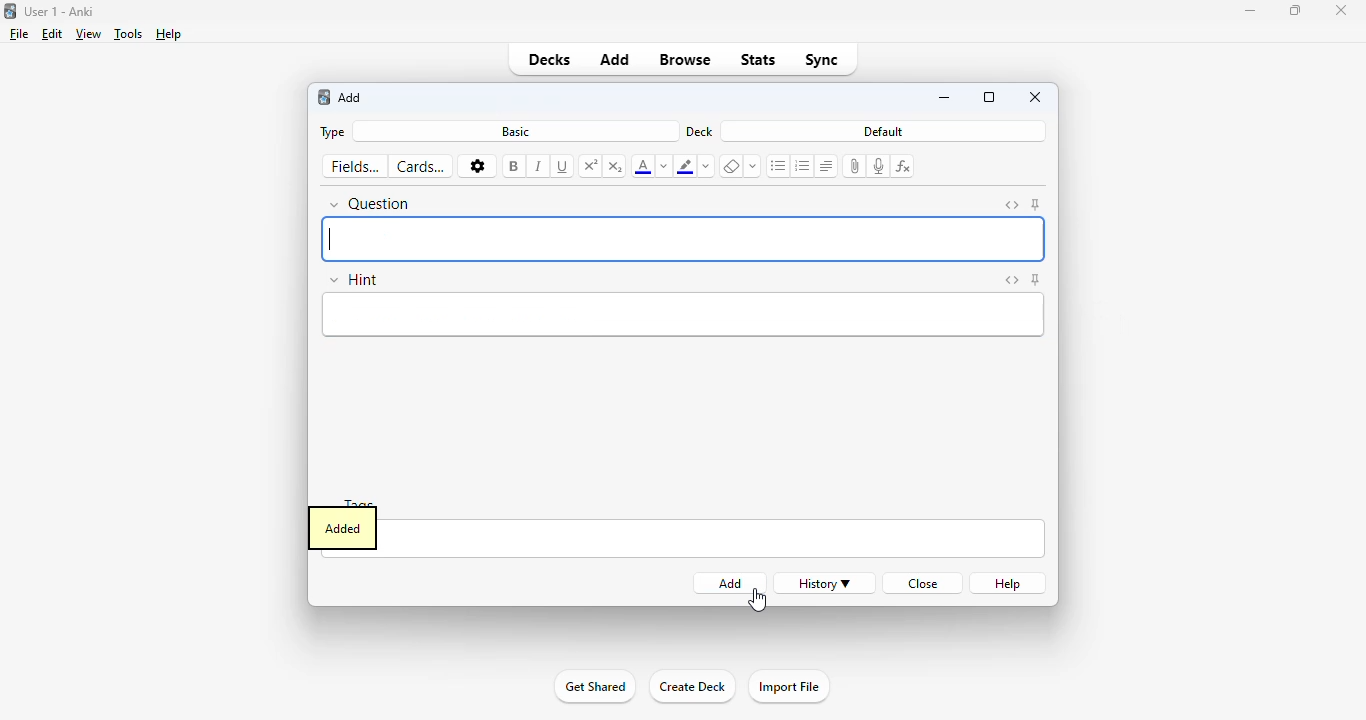  What do you see at coordinates (827, 166) in the screenshot?
I see `alignment` at bounding box center [827, 166].